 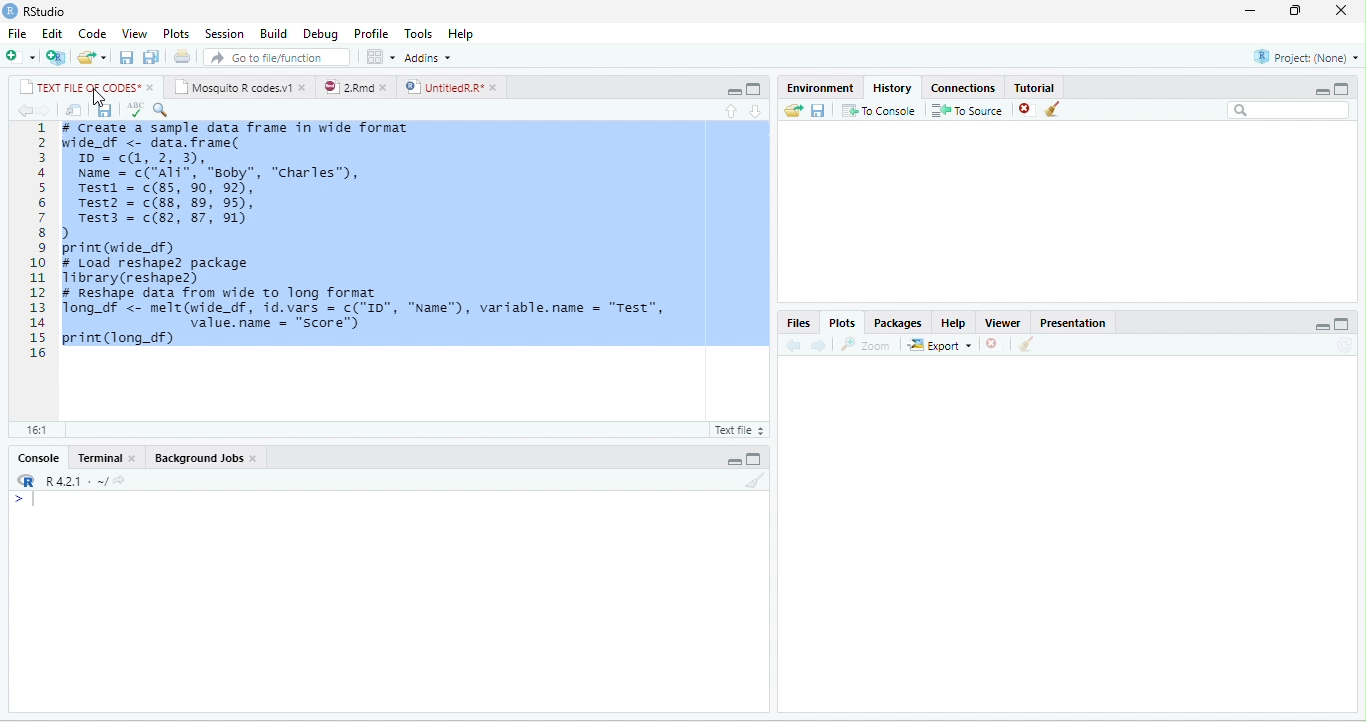 I want to click on maximize, so click(x=1342, y=89).